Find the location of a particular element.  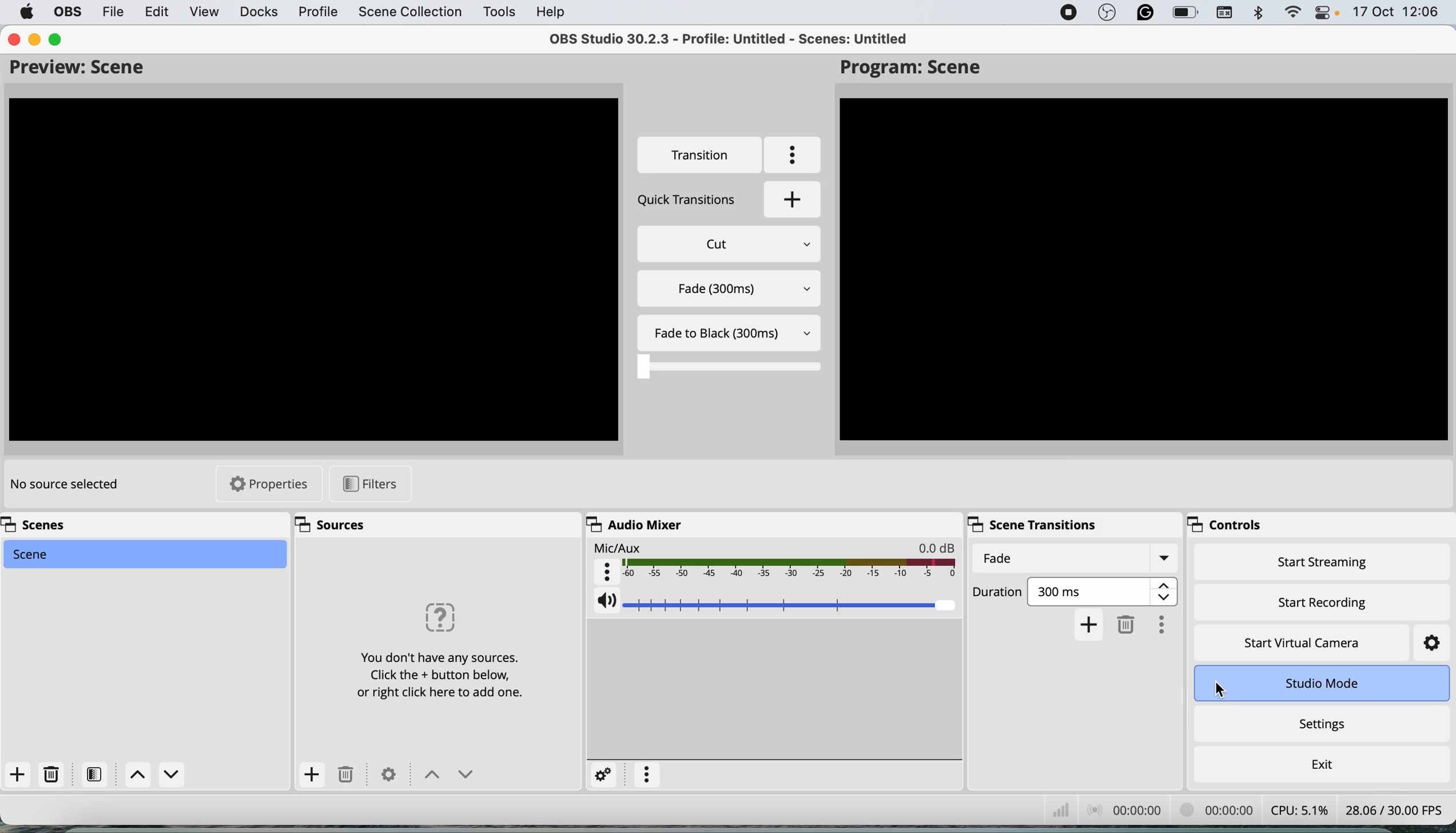

properties is located at coordinates (267, 485).